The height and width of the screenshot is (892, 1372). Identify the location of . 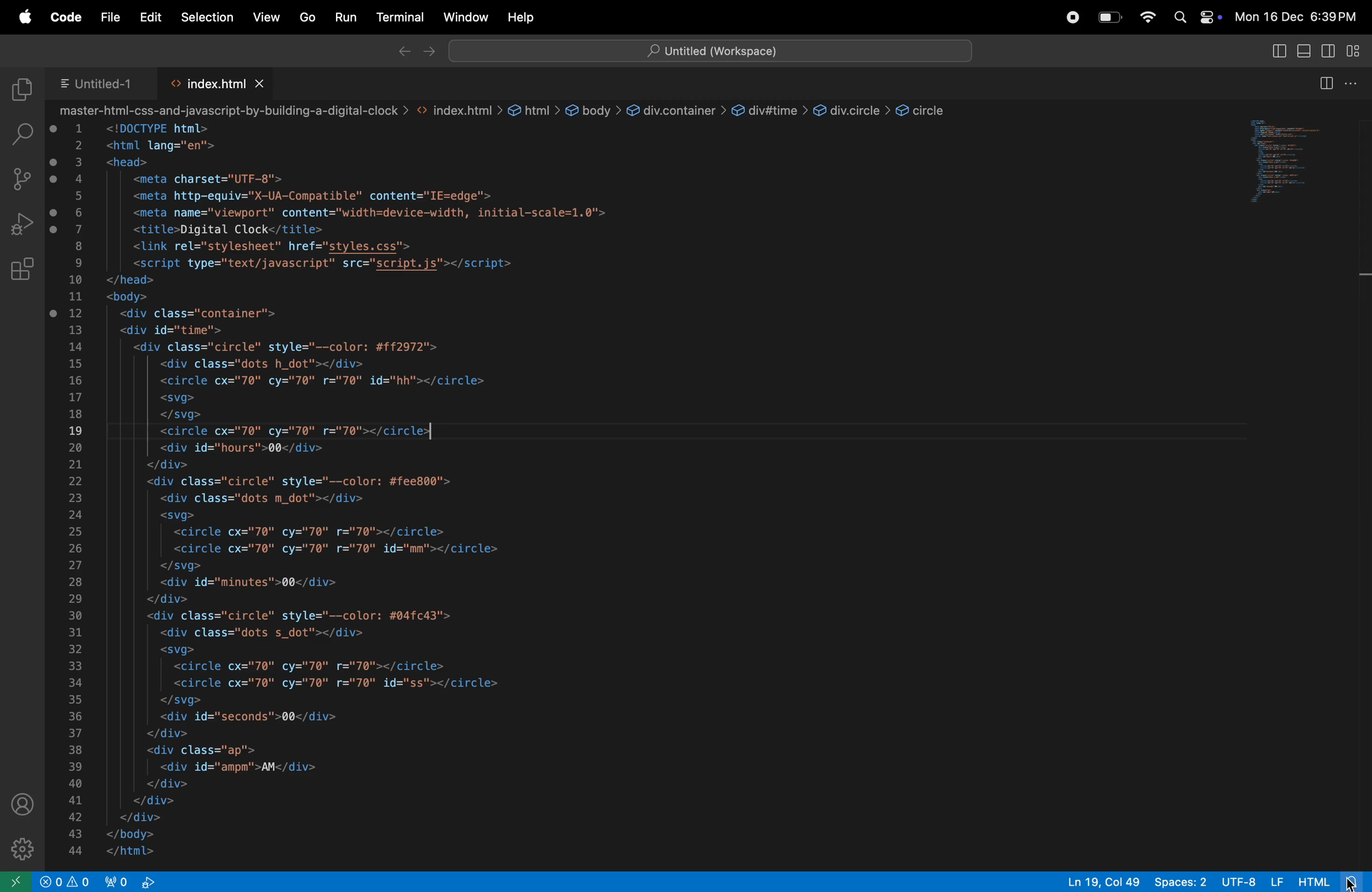
(16, 880).